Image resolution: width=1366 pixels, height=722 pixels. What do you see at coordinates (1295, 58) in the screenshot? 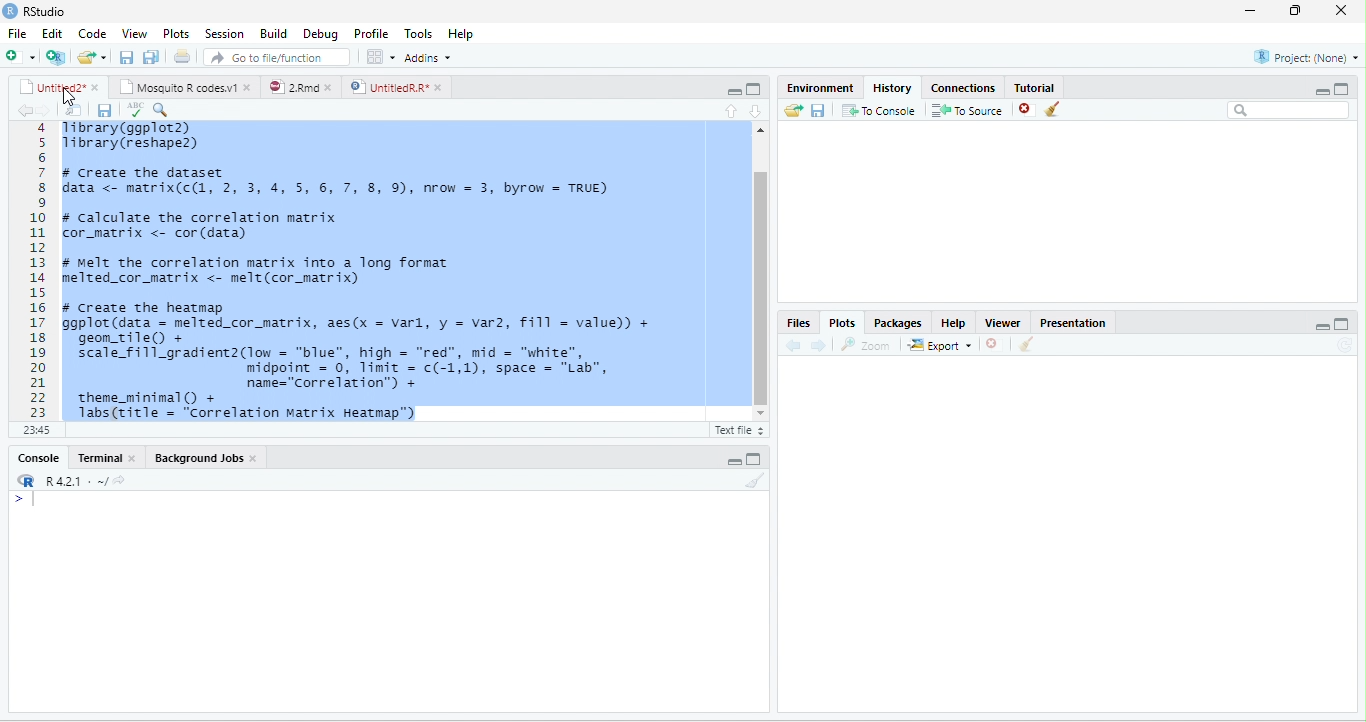
I see `project none` at bounding box center [1295, 58].